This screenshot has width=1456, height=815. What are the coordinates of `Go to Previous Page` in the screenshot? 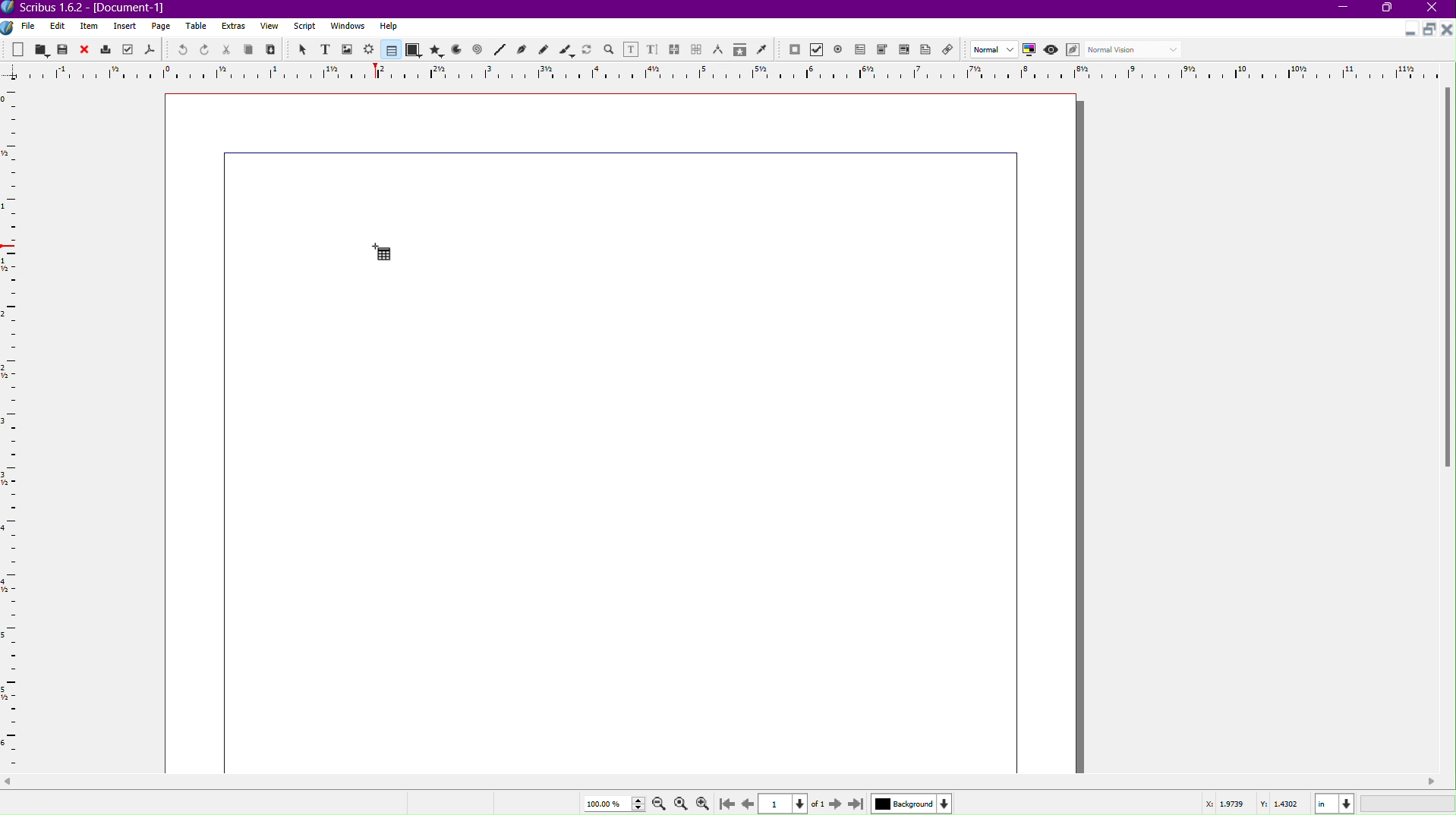 It's located at (747, 801).